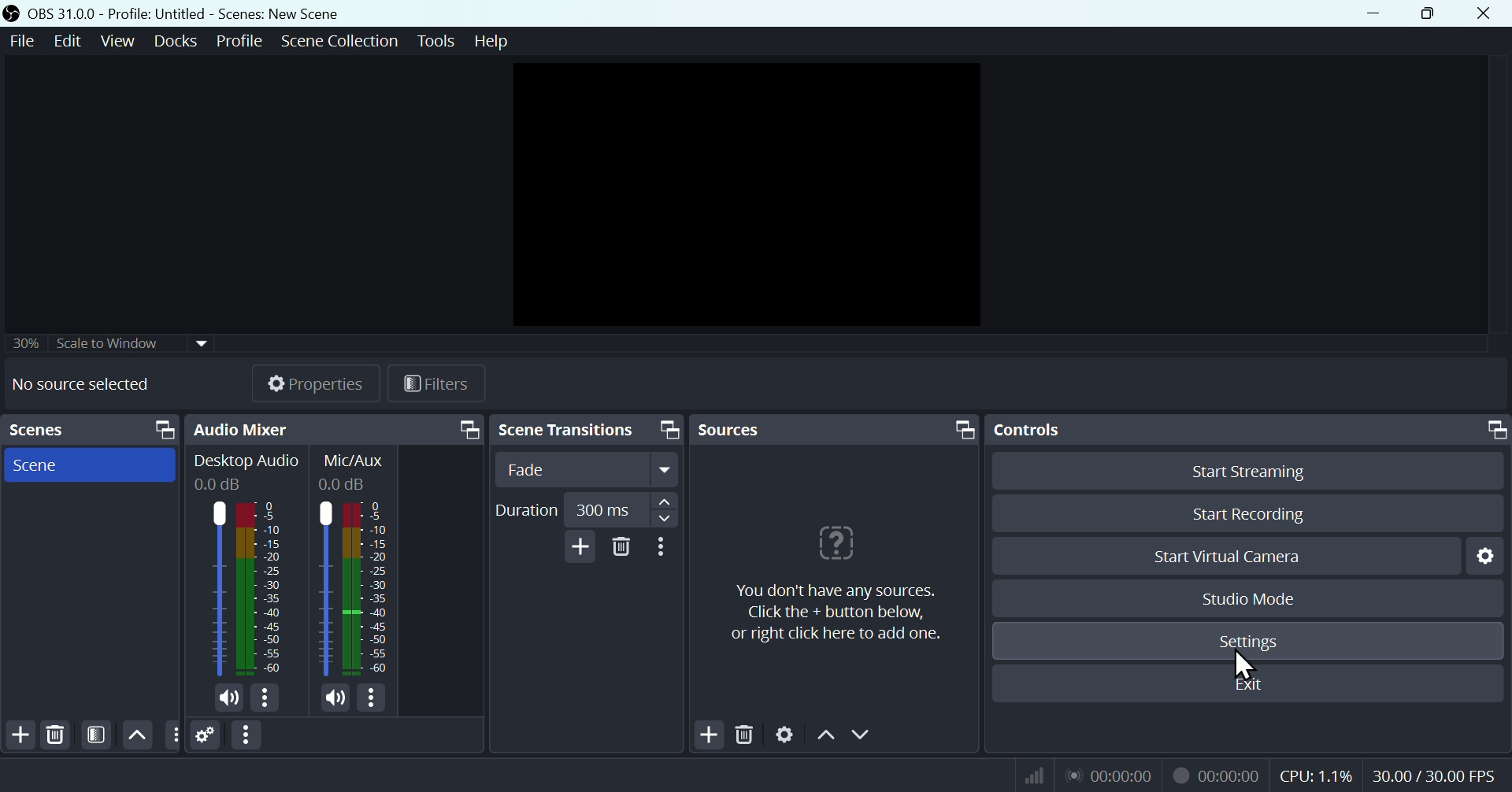 This screenshot has height=792, width=1512. What do you see at coordinates (839, 427) in the screenshot?
I see `Sources` at bounding box center [839, 427].